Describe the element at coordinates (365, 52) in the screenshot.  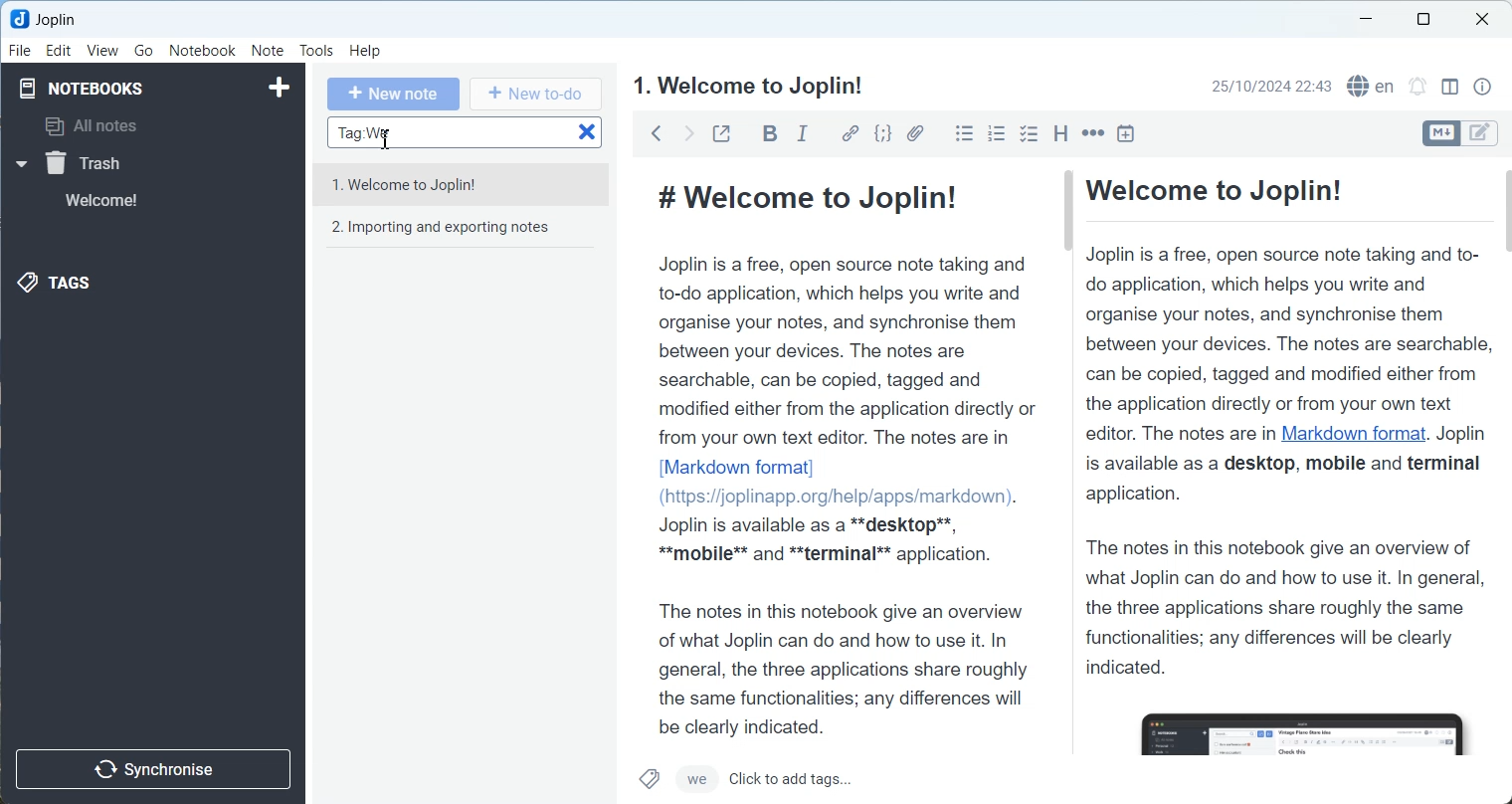
I see `Help` at that location.